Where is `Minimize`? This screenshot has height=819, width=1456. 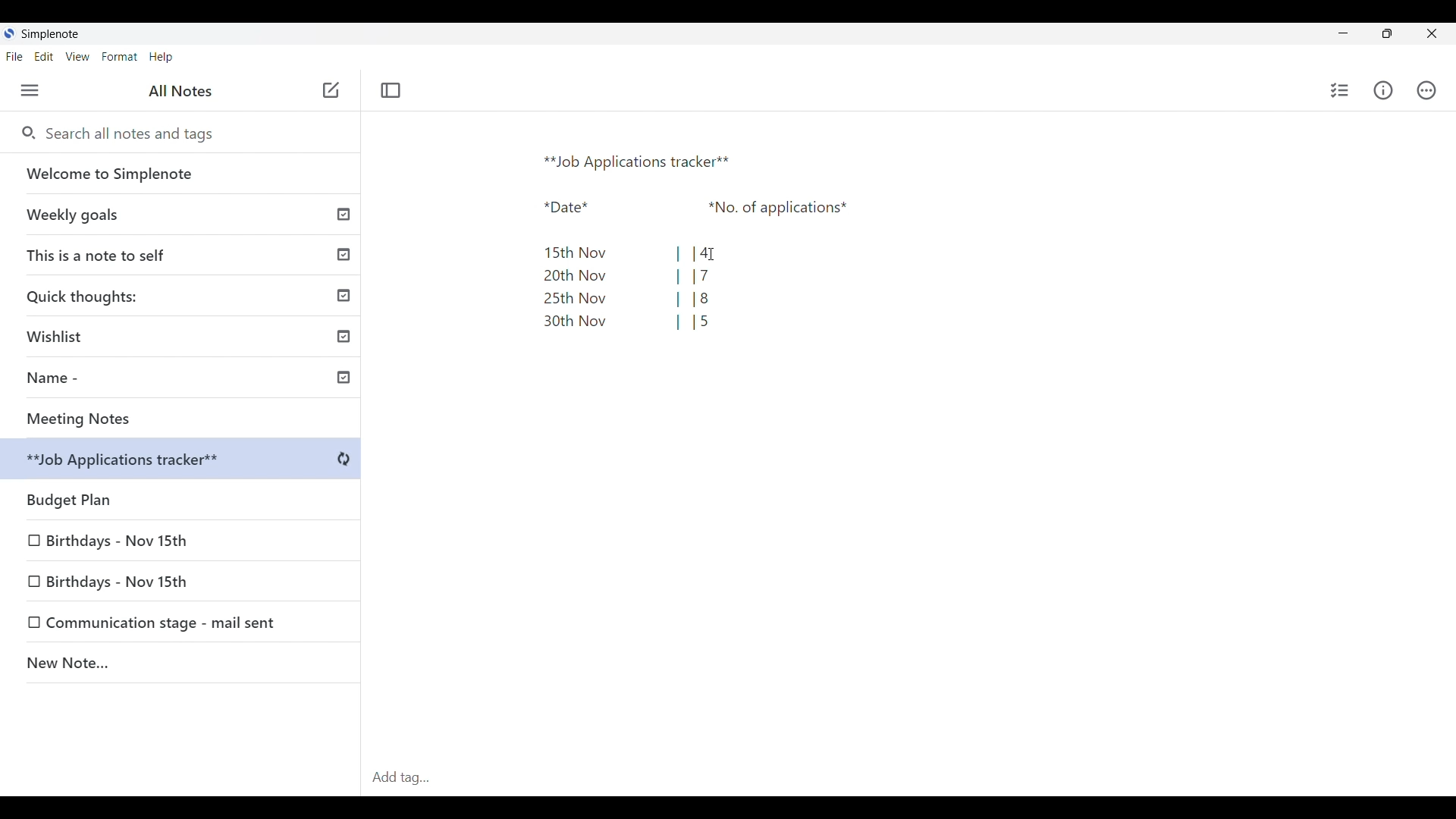 Minimize is located at coordinates (1343, 33).